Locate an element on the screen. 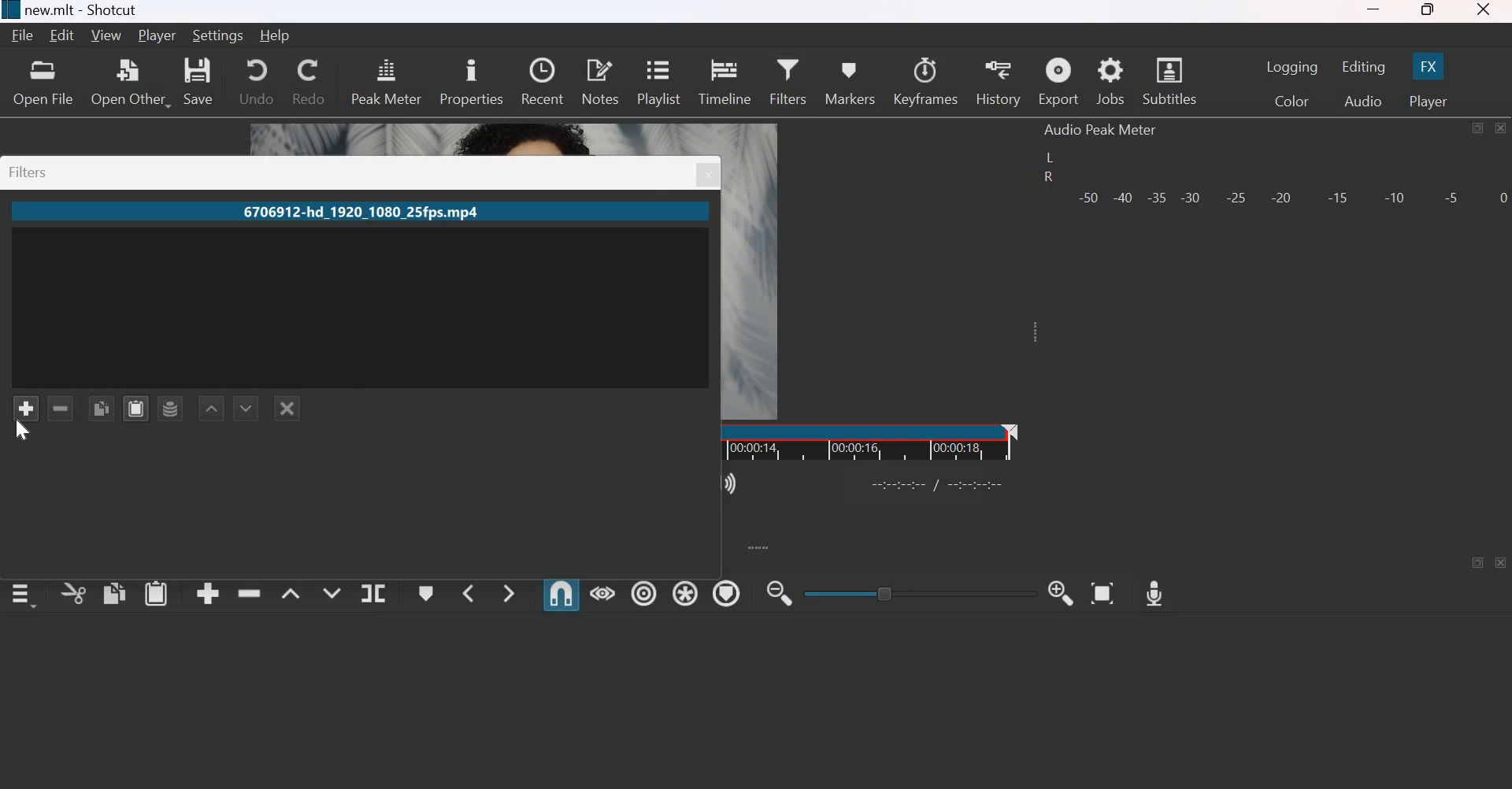 This screenshot has height=789, width=1512. ripple delete is located at coordinates (250, 591).